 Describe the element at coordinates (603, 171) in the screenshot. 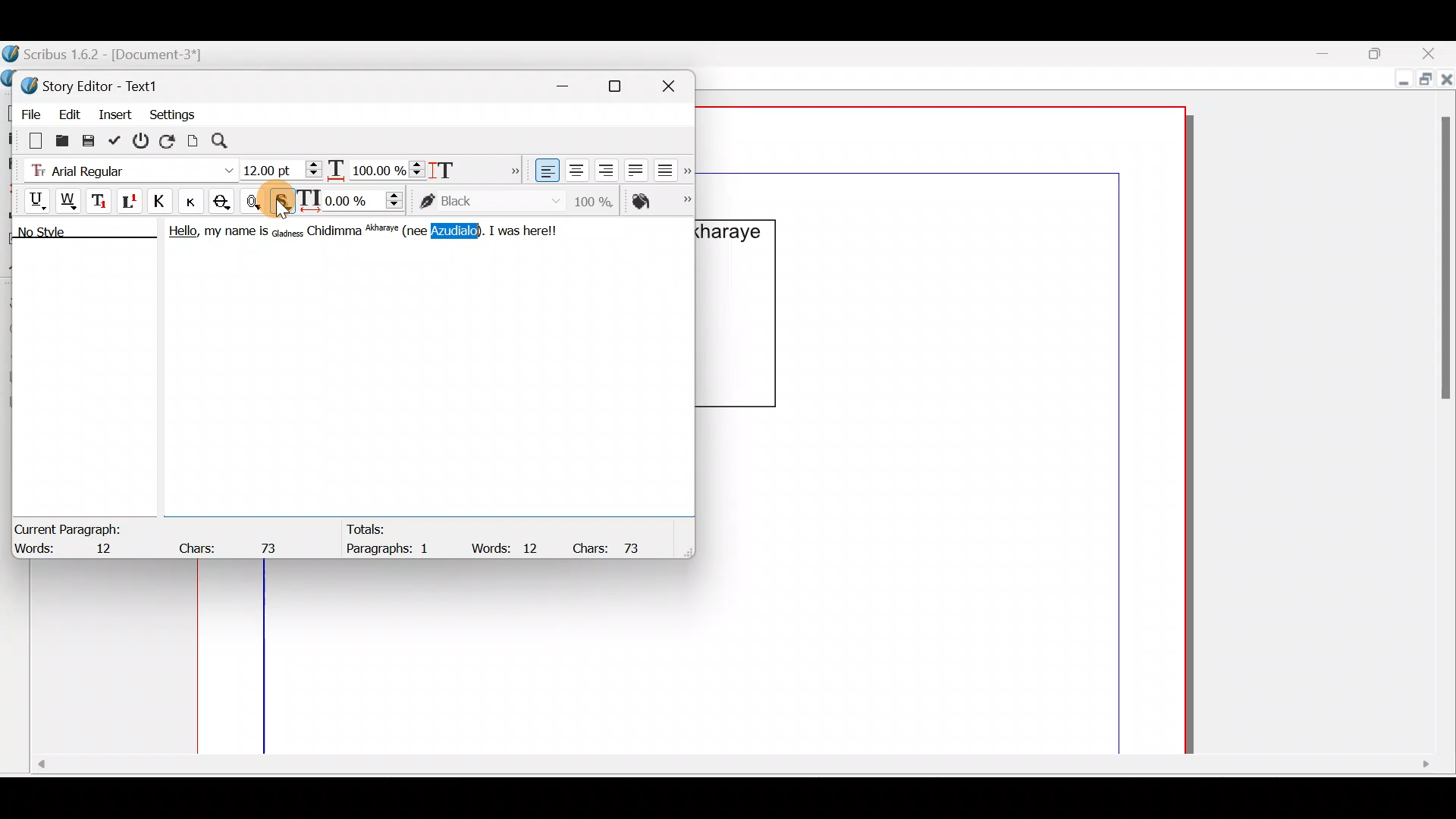

I see `Align text right` at that location.